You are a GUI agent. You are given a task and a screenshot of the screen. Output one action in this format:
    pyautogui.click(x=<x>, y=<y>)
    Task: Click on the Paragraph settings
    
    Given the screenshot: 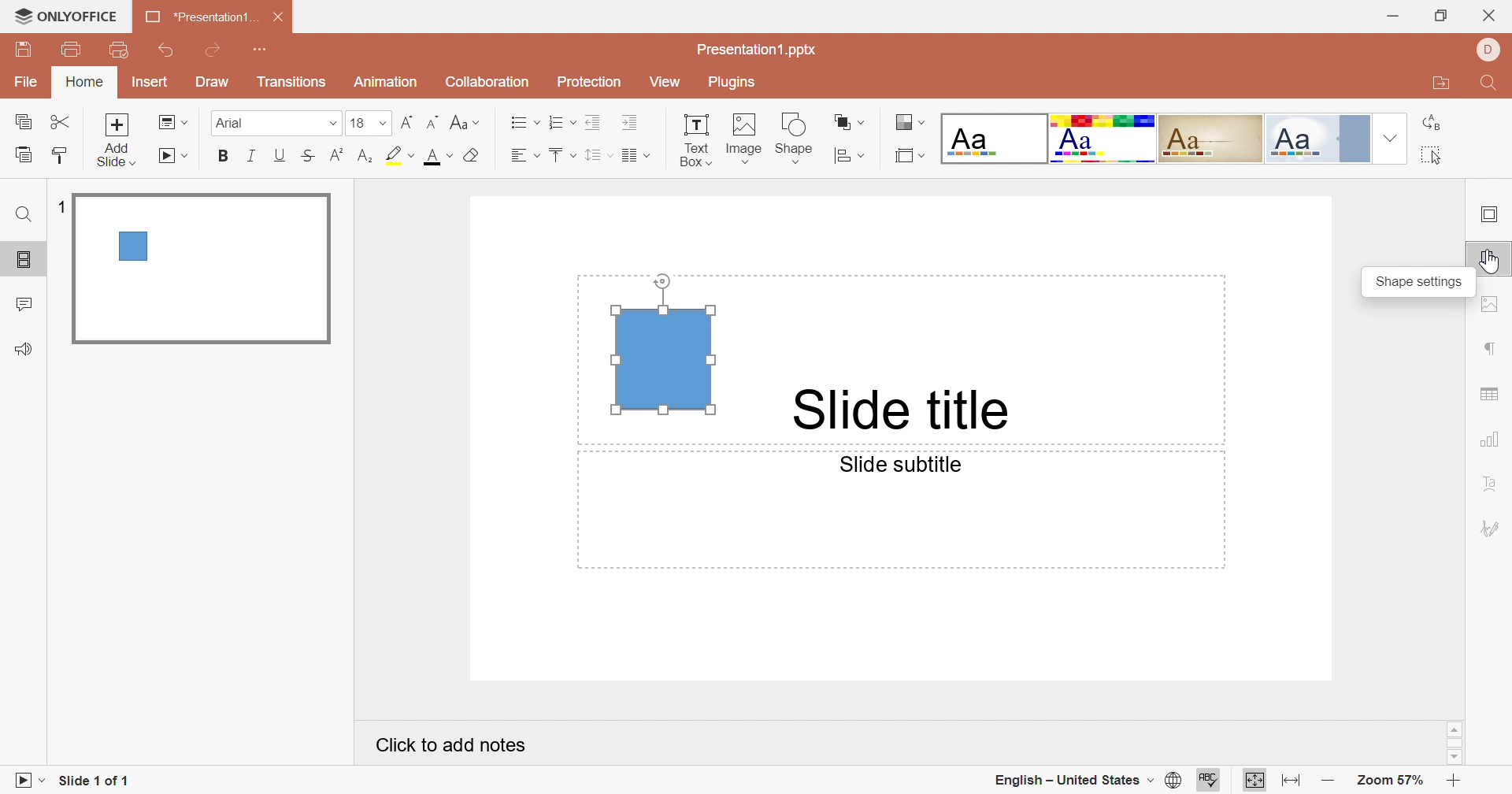 What is the action you would take?
    pyautogui.click(x=1494, y=351)
    